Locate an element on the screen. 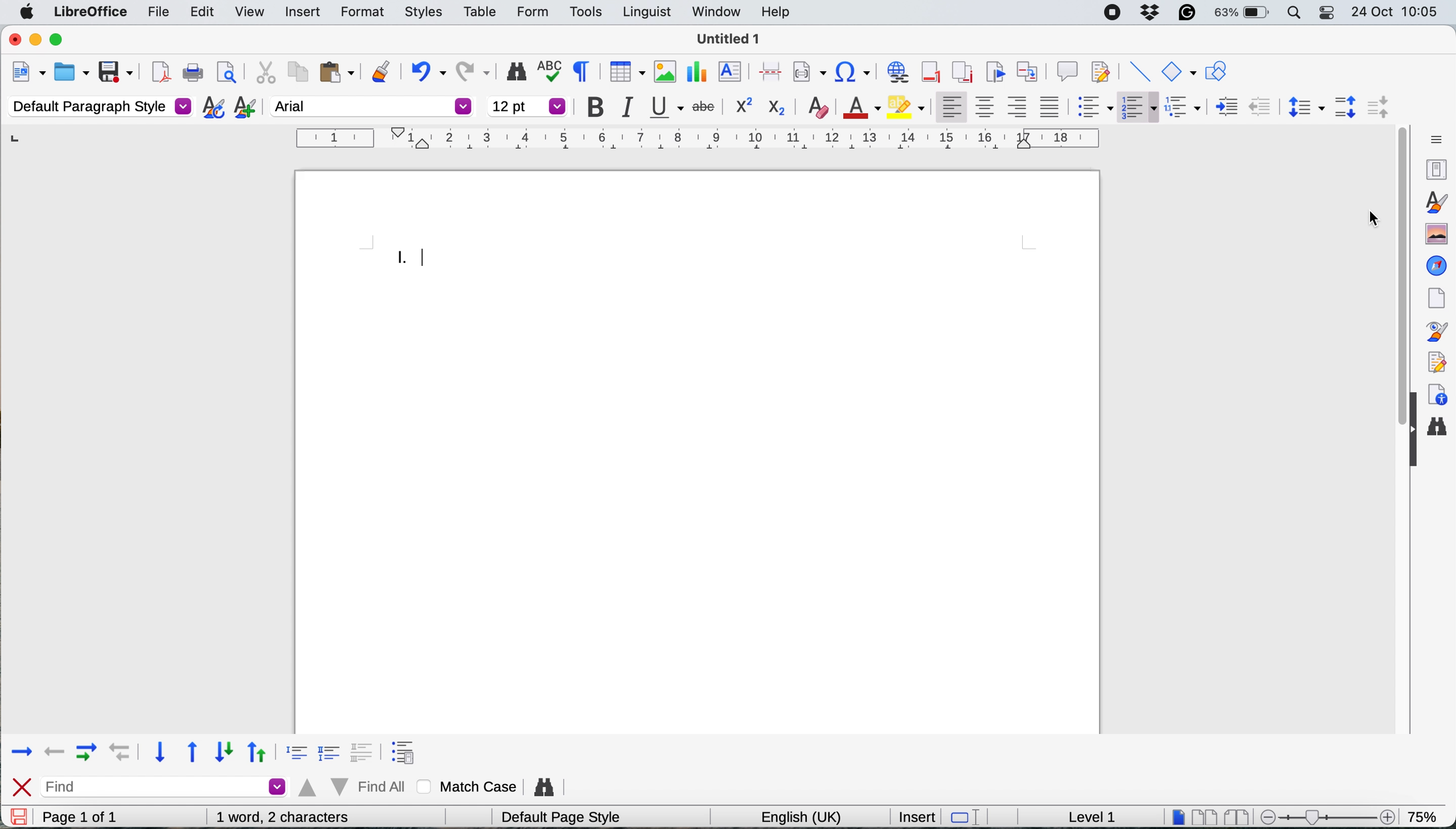  align left is located at coordinates (951, 104).